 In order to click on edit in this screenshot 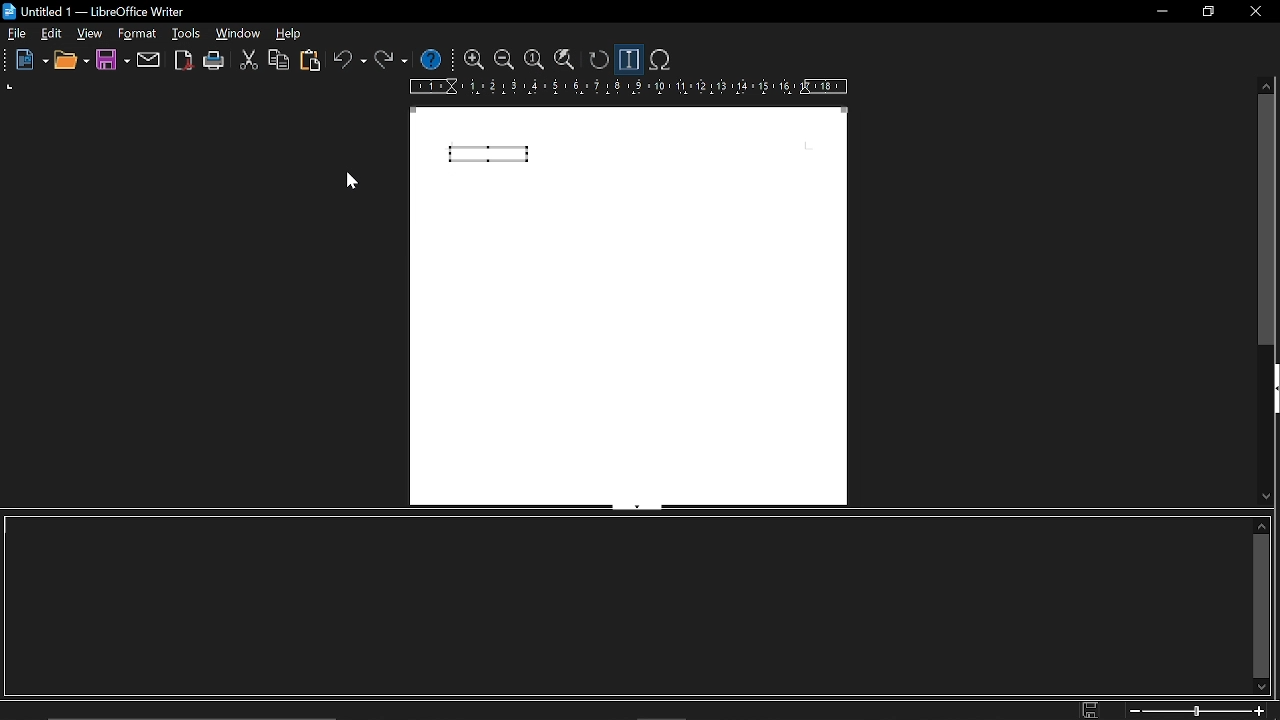, I will do `click(51, 34)`.